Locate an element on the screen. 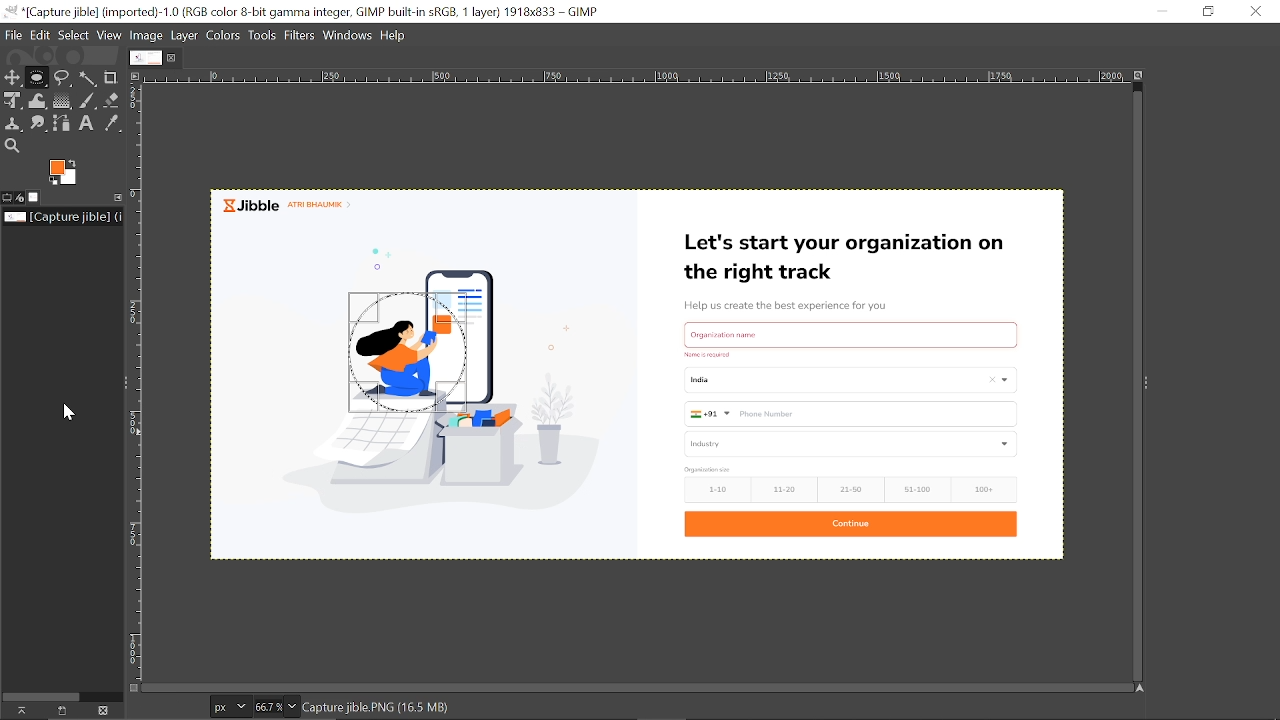 This screenshot has height=720, width=1280. Navigate the image display is located at coordinates (1138, 688).